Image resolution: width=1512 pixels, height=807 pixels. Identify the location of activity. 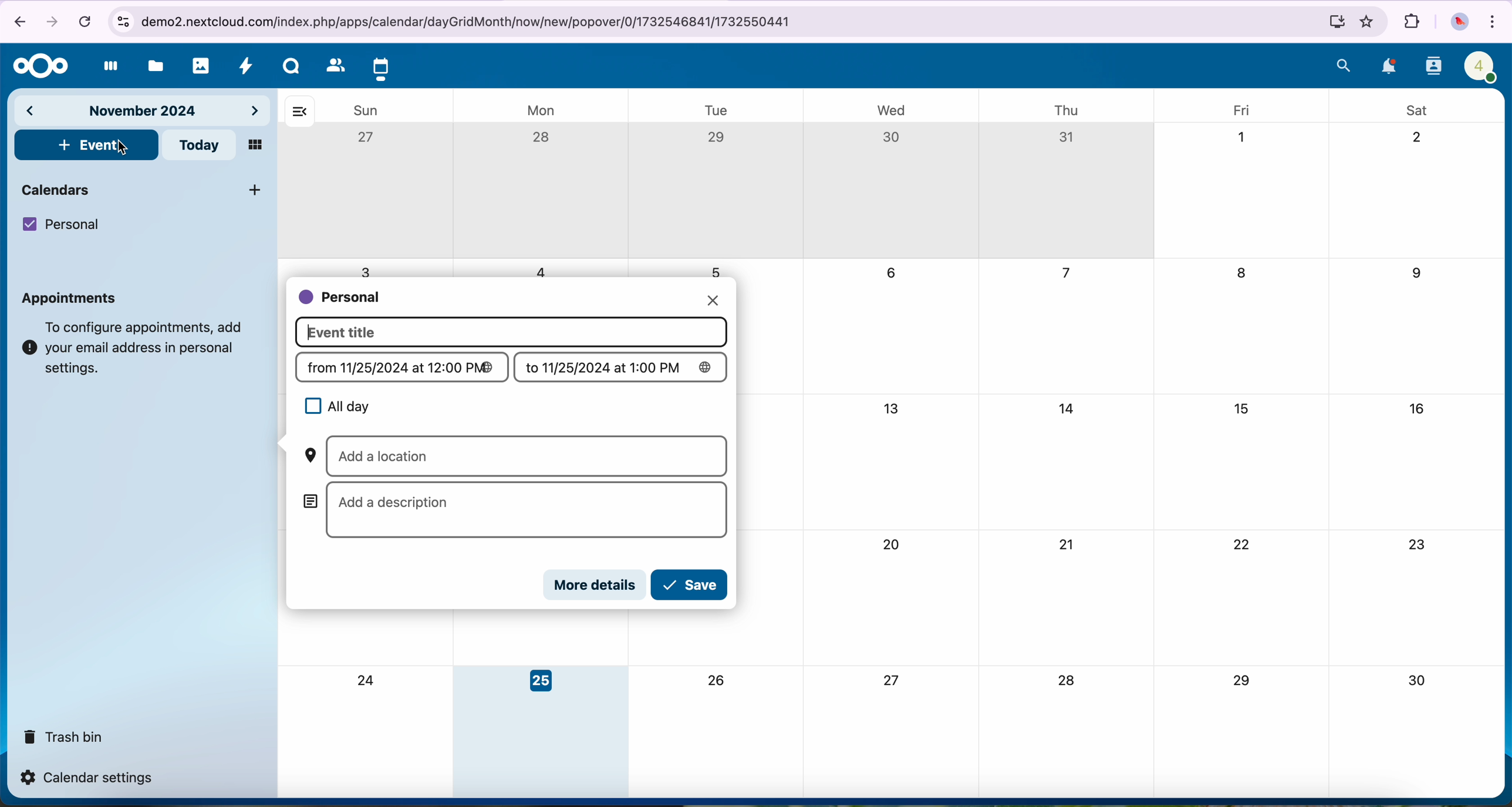
(249, 66).